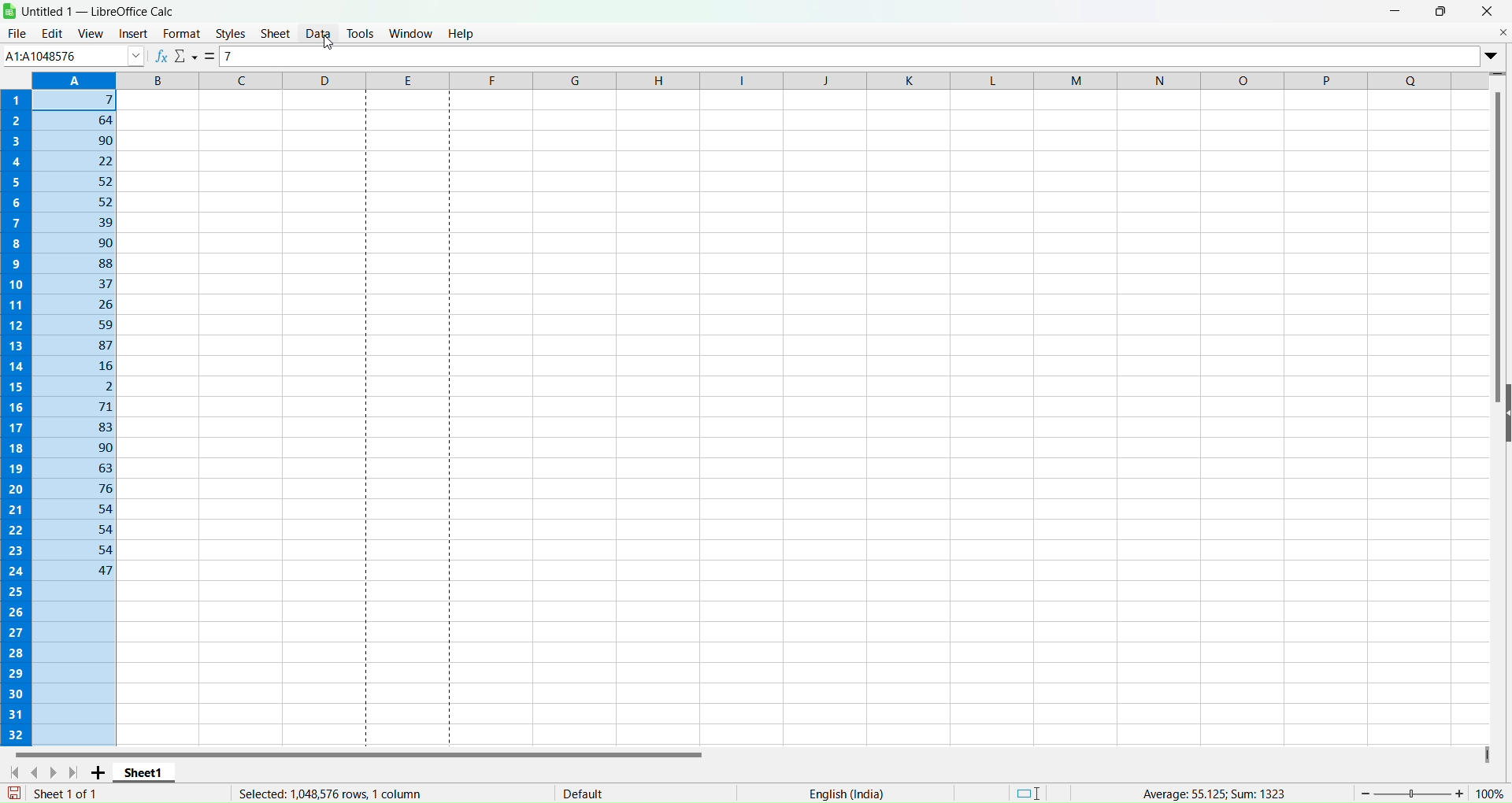 This screenshot has width=1512, height=803. Describe the element at coordinates (102, 11) in the screenshot. I see `Title` at that location.